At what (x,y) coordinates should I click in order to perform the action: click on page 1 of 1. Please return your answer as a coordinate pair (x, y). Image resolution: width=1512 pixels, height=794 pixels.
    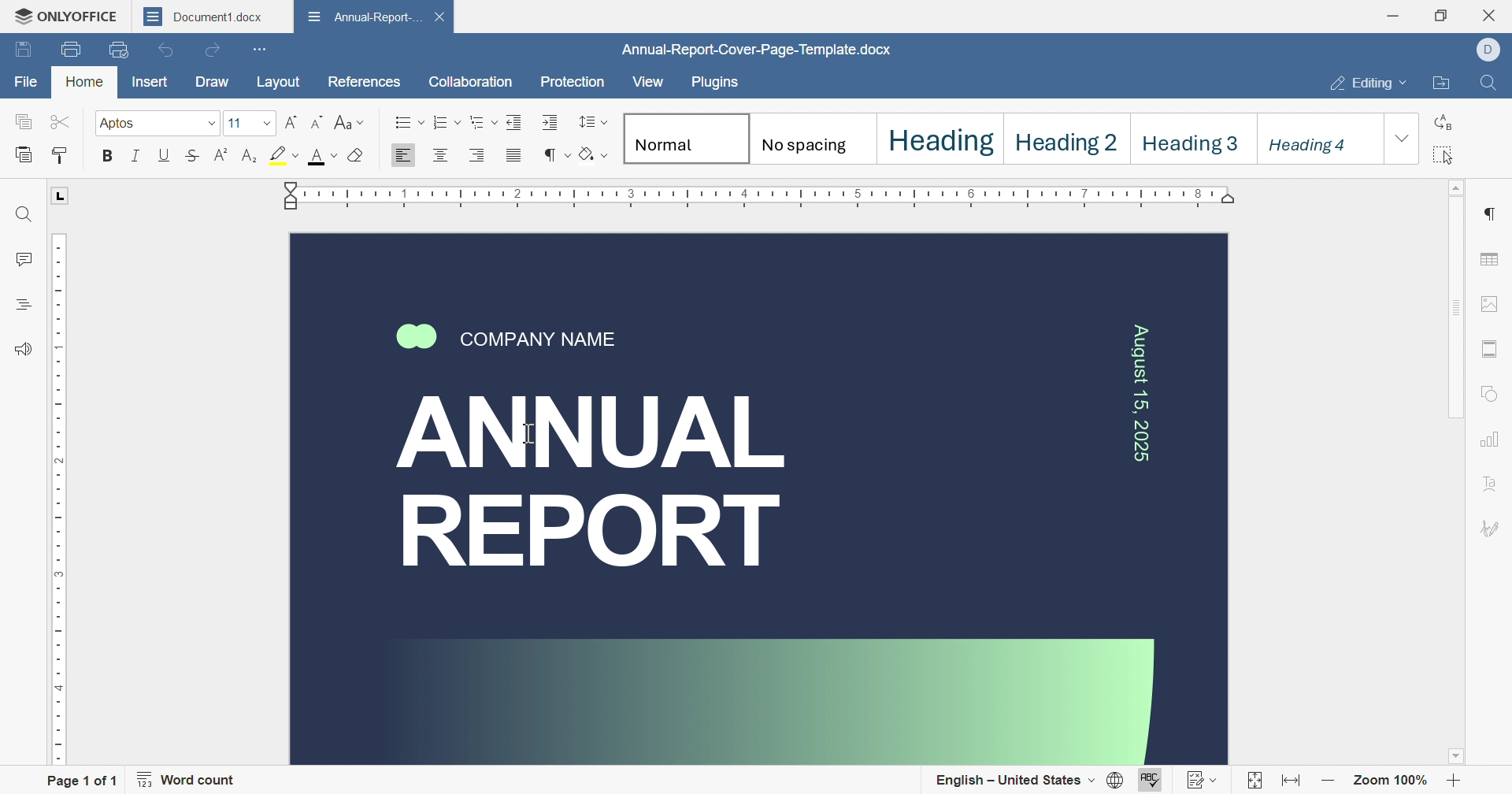
    Looking at the image, I should click on (80, 780).